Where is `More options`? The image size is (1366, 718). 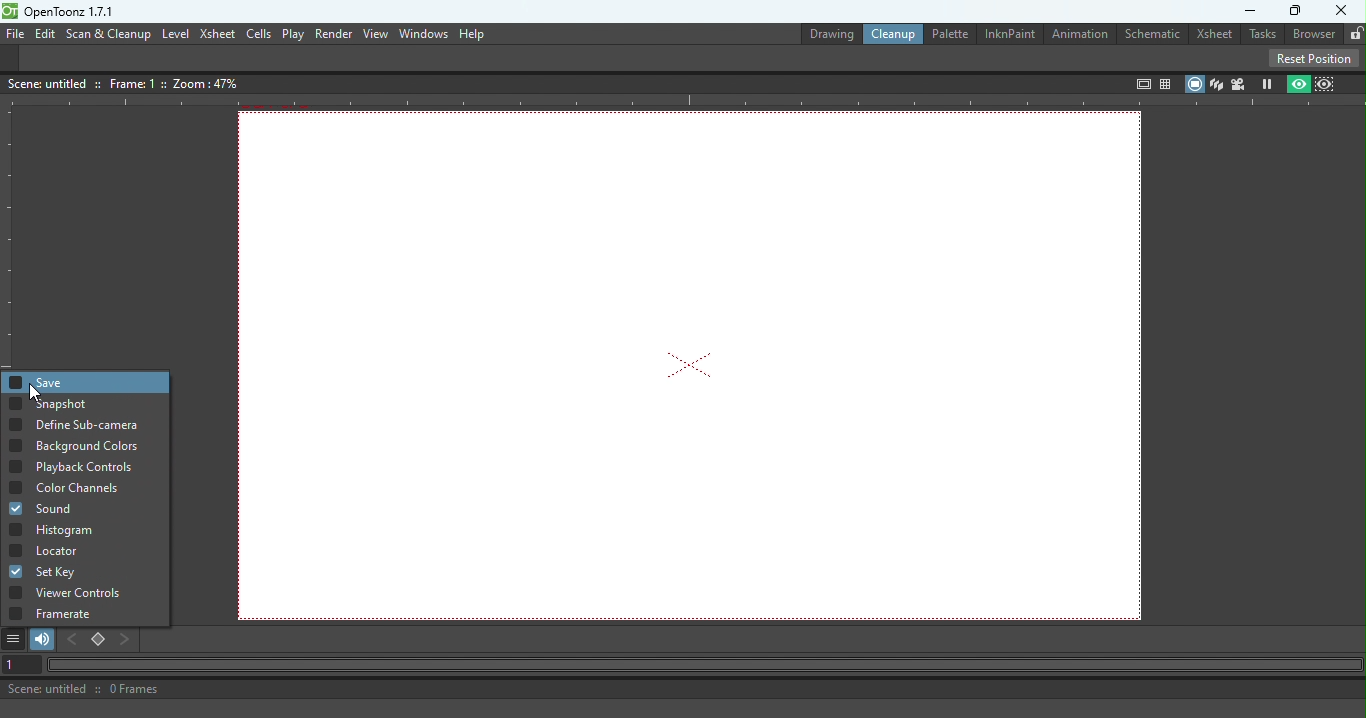
More options is located at coordinates (16, 640).